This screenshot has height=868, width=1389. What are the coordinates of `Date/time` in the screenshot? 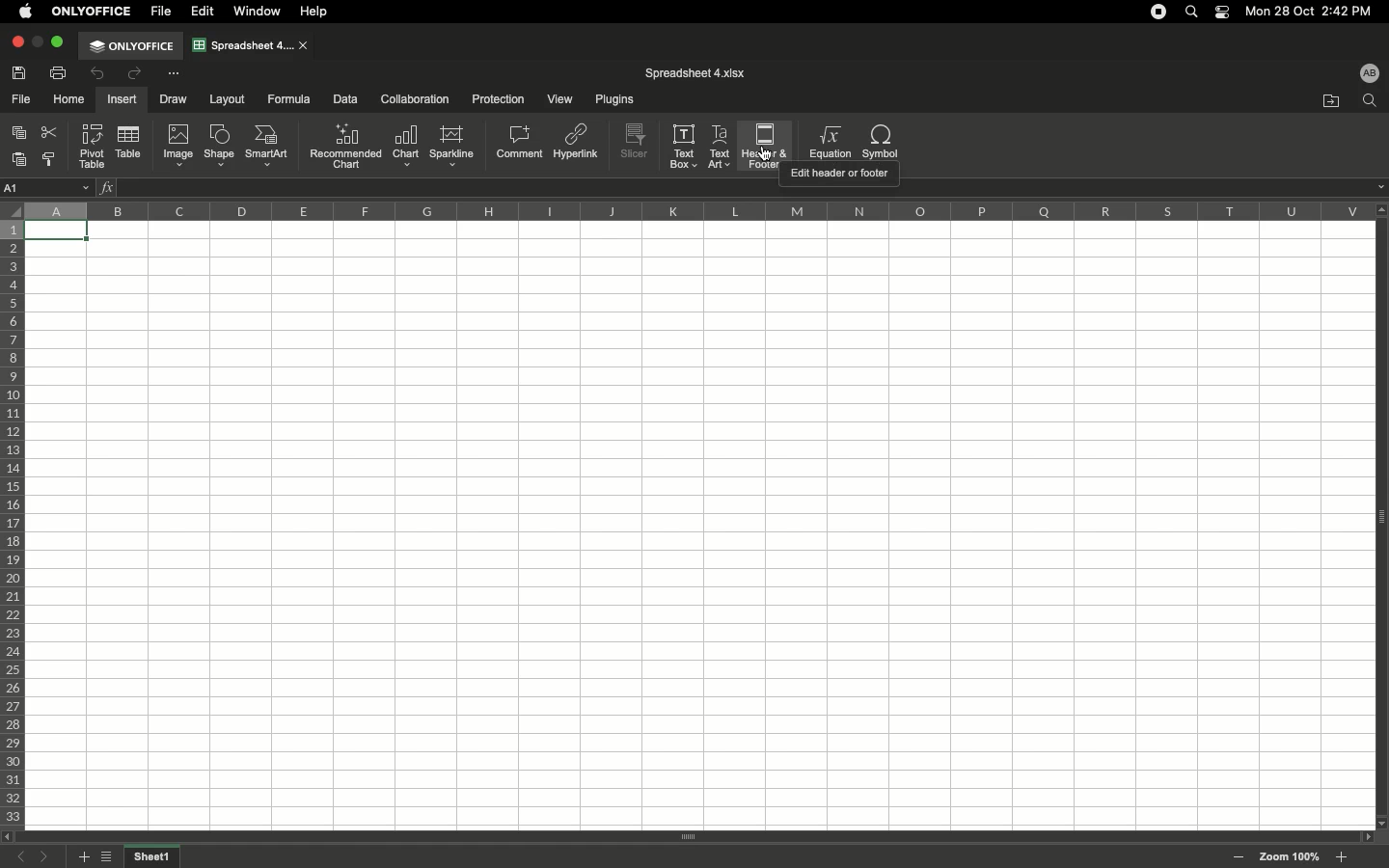 It's located at (1316, 11).